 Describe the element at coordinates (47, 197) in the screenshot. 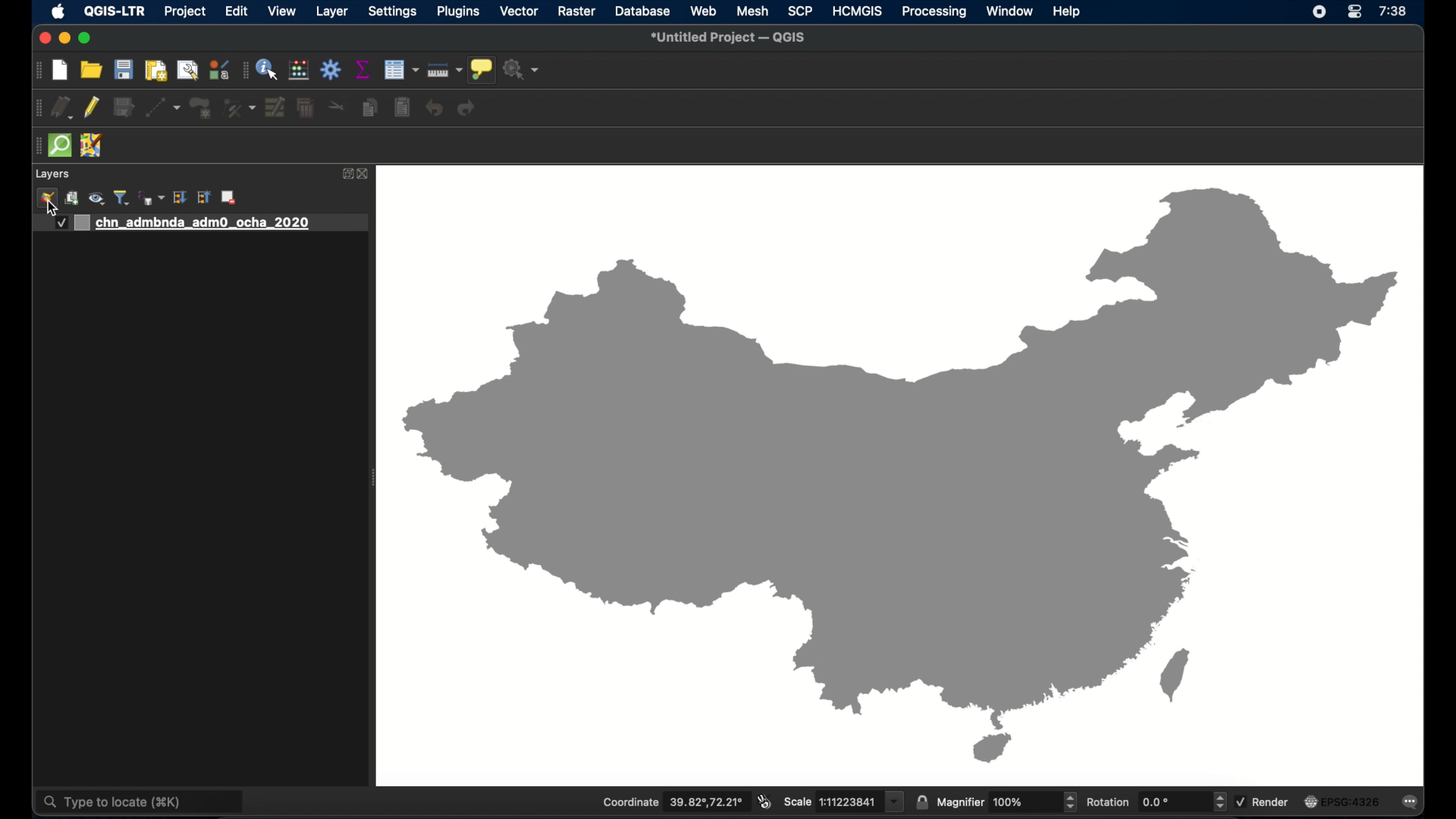

I see `open layer styling panel` at that location.